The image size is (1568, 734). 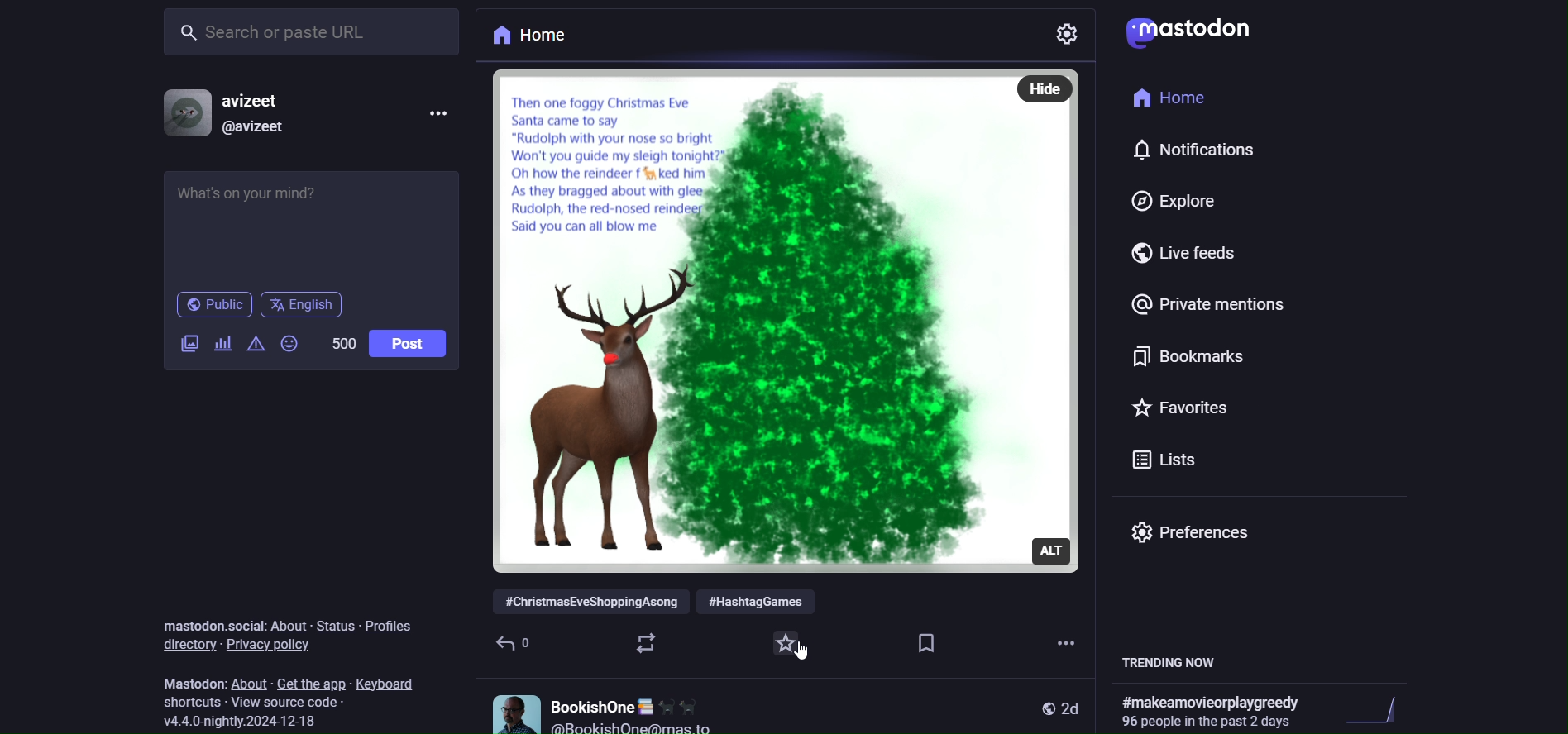 I want to click on profile picture, so click(x=182, y=113).